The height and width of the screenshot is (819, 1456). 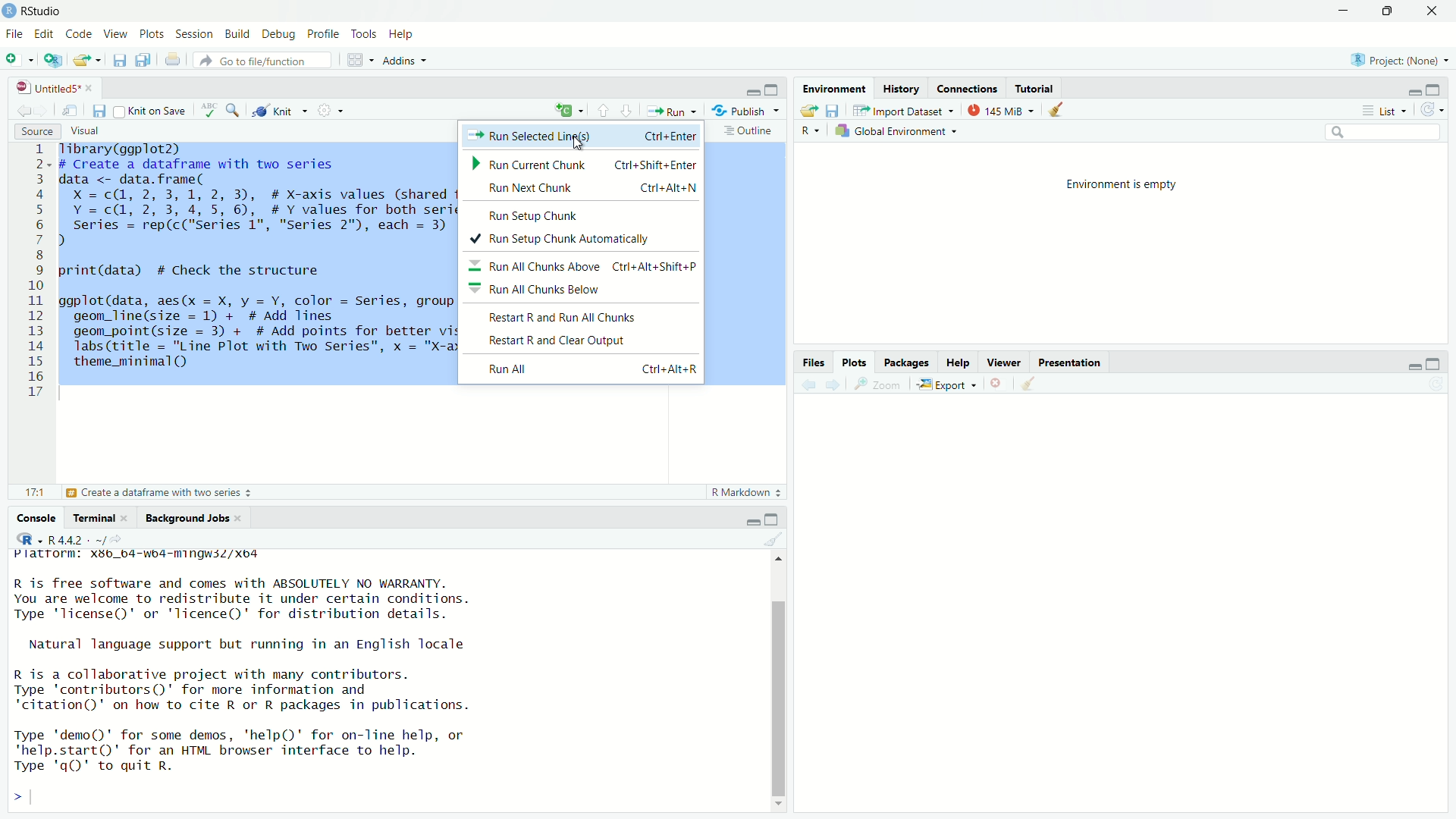 I want to click on Run the current line or selection, so click(x=670, y=110).